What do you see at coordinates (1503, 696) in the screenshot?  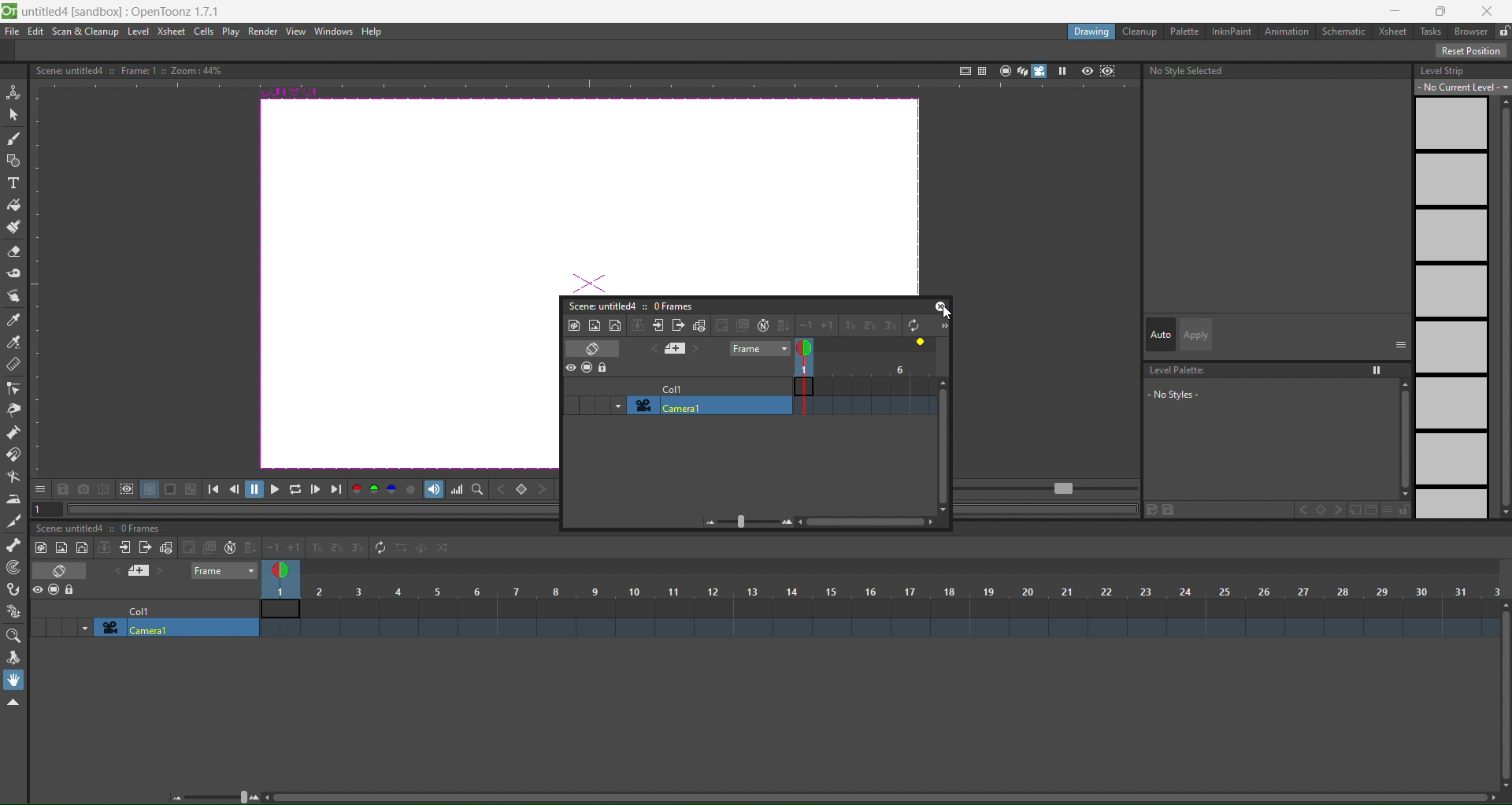 I see `scroll bar` at bounding box center [1503, 696].